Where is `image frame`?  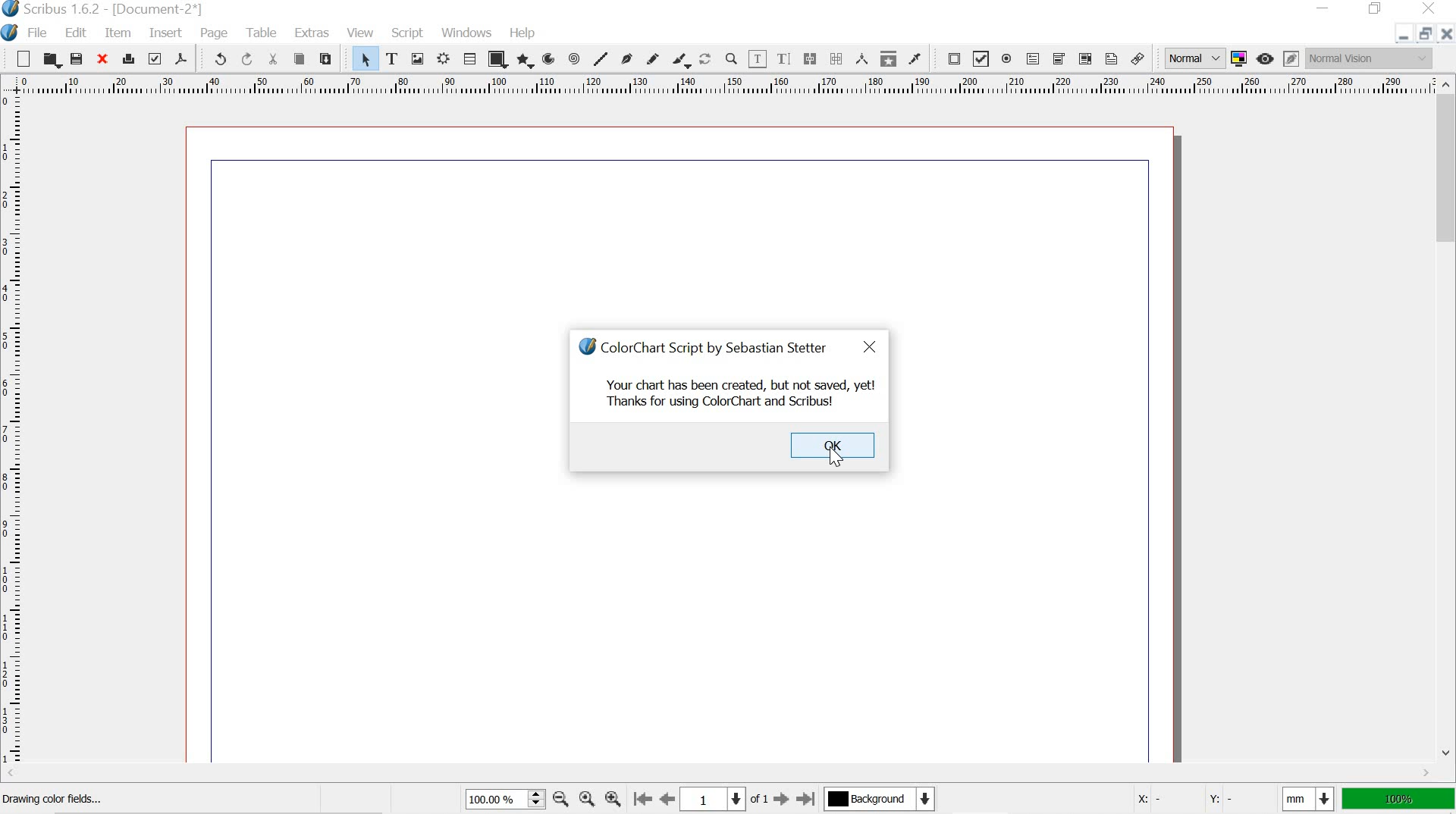
image frame is located at coordinates (418, 58).